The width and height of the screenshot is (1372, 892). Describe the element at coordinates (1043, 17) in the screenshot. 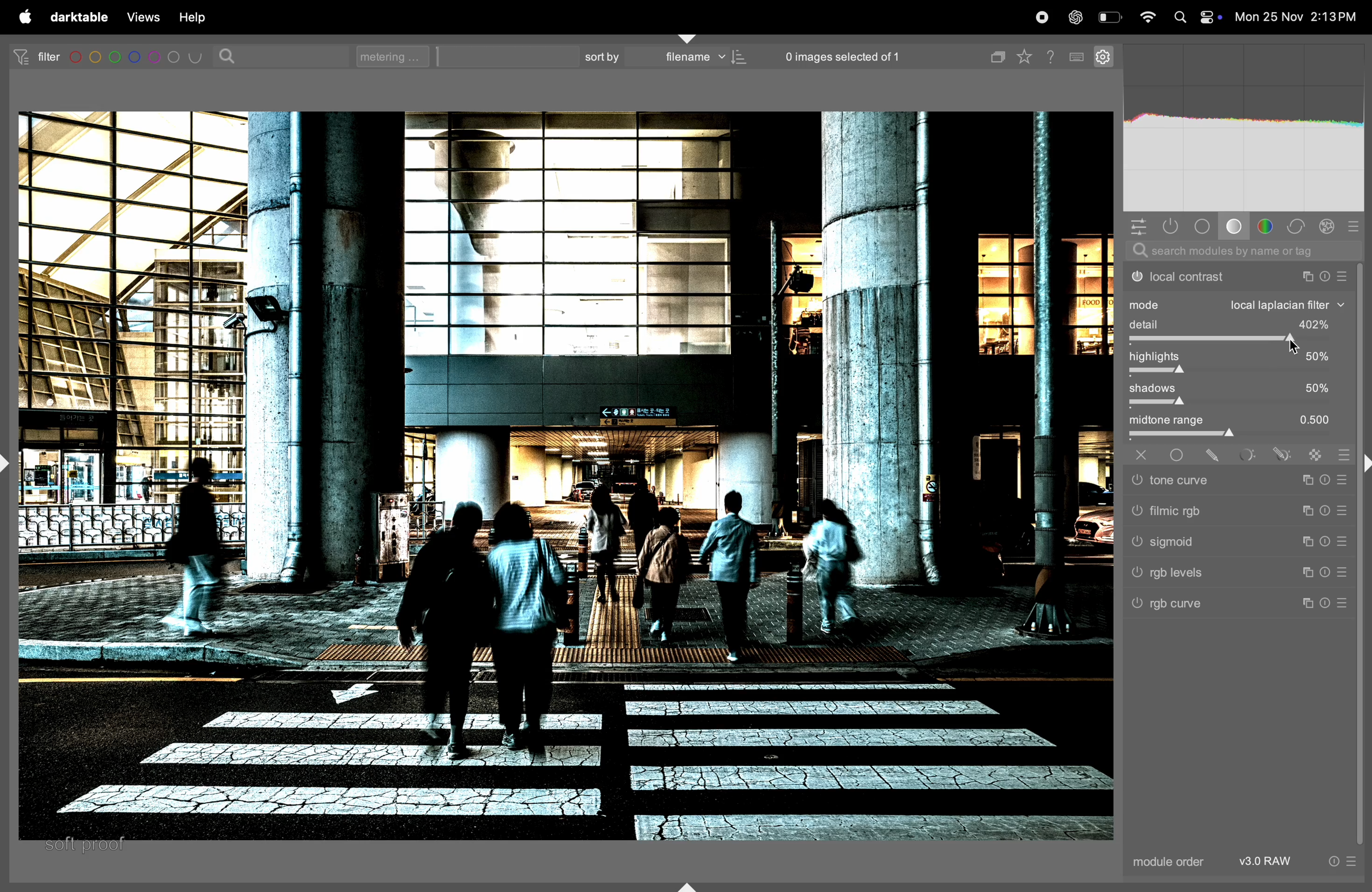

I see `record` at that location.